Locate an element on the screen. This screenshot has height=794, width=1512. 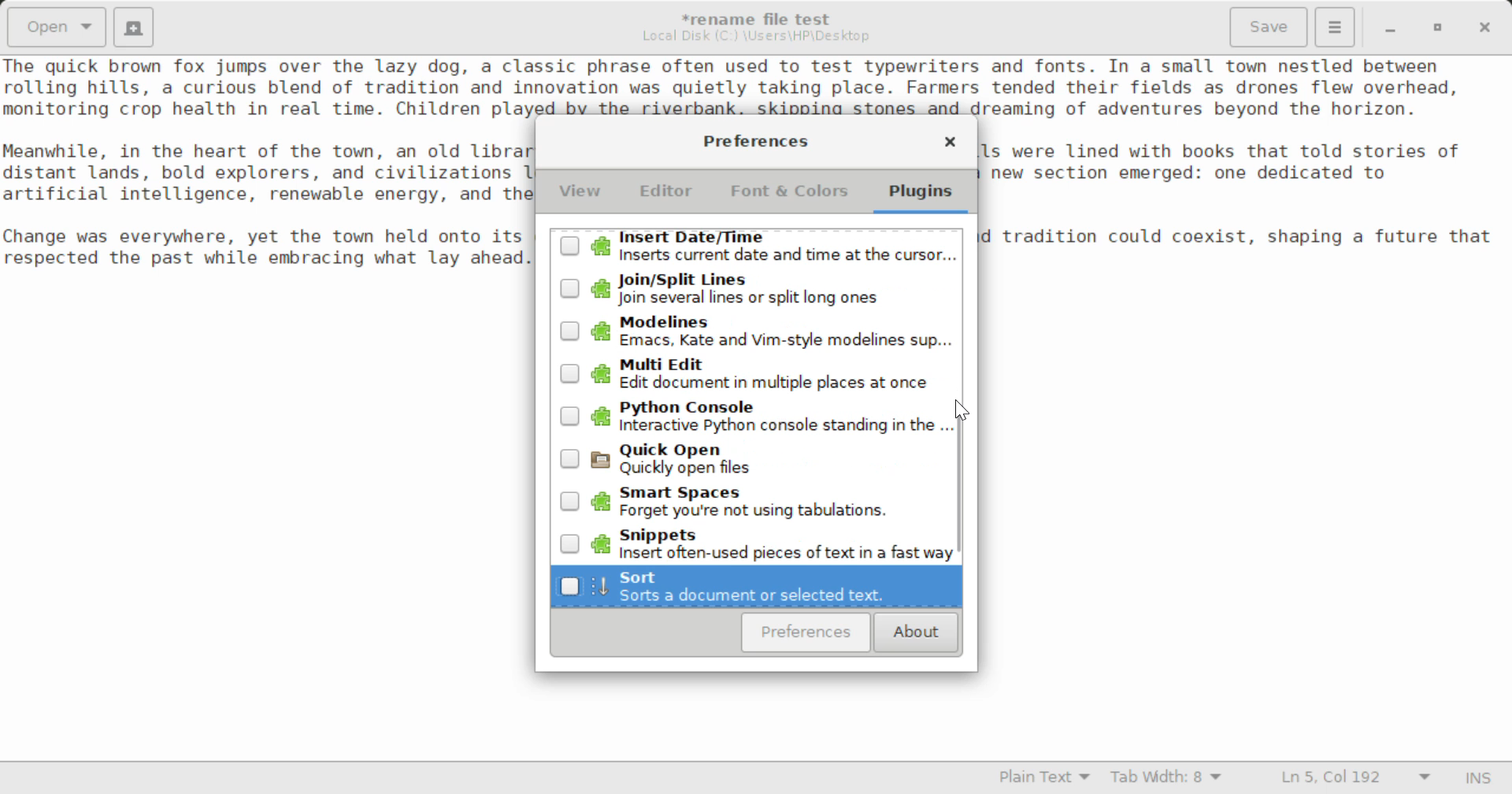
Font & Colors Tab is located at coordinates (789, 197).